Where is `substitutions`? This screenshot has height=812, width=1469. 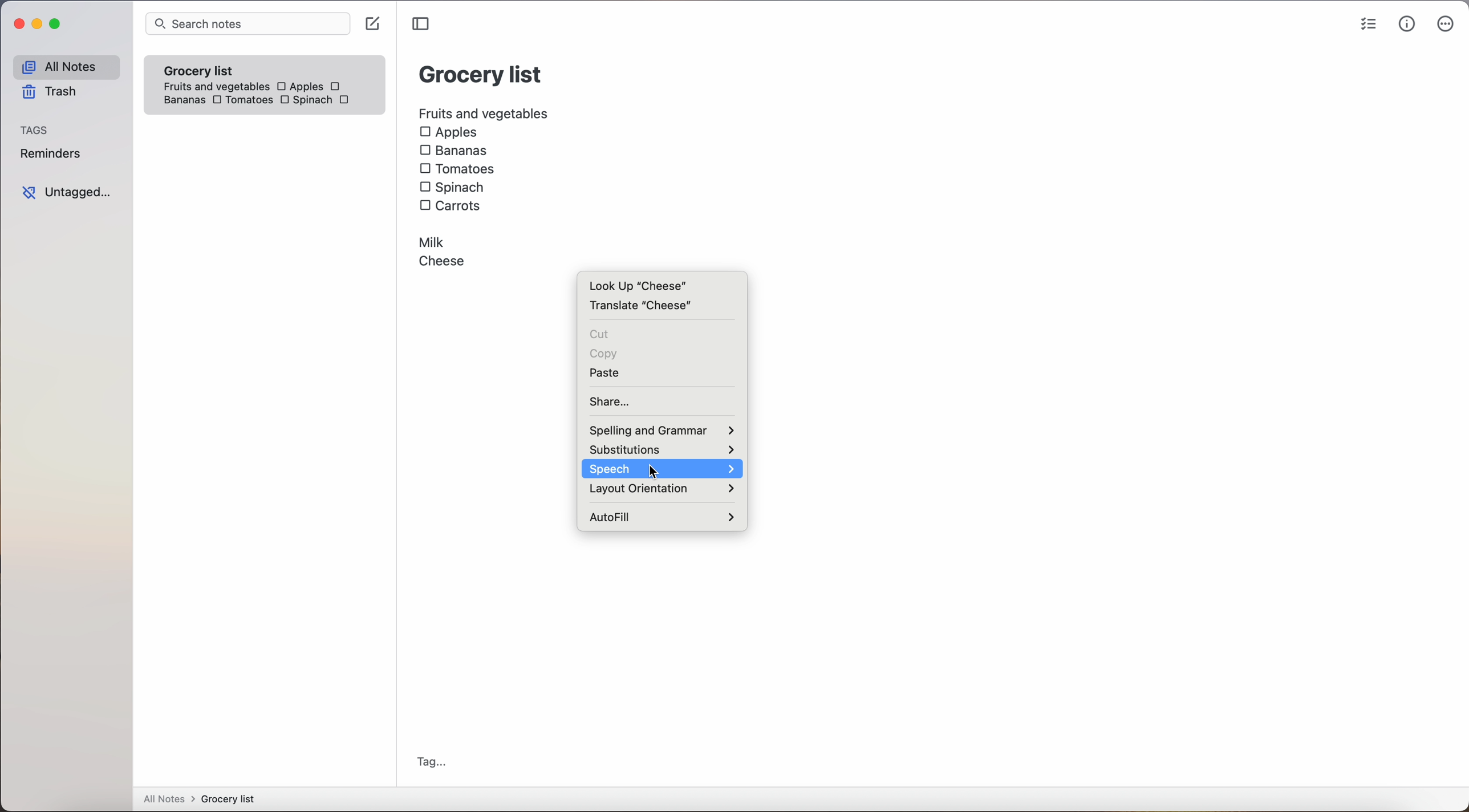
substitutions is located at coordinates (661, 449).